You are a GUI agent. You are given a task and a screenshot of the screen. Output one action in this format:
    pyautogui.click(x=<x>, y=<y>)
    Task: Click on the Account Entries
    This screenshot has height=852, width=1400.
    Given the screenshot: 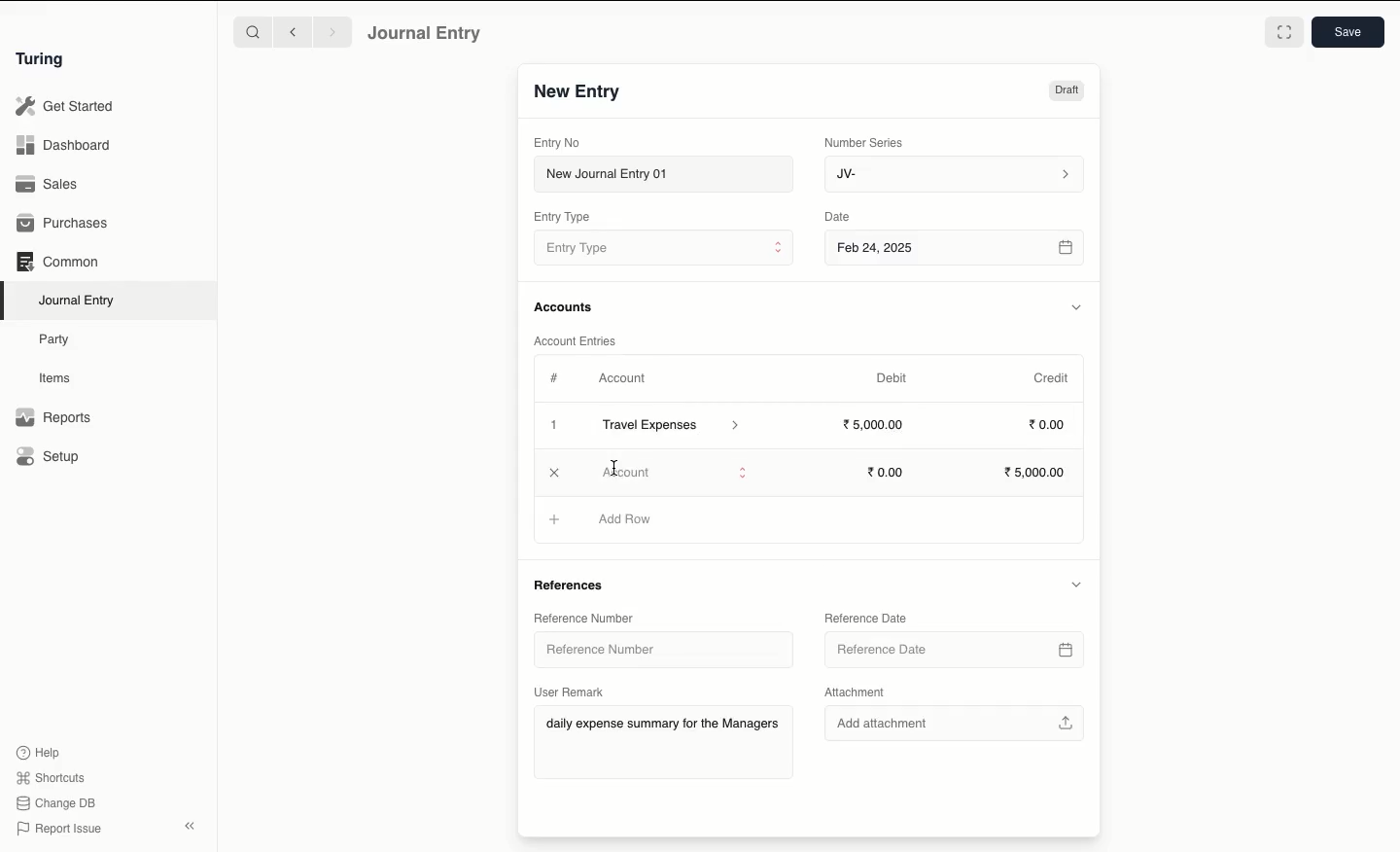 What is the action you would take?
    pyautogui.click(x=578, y=340)
    